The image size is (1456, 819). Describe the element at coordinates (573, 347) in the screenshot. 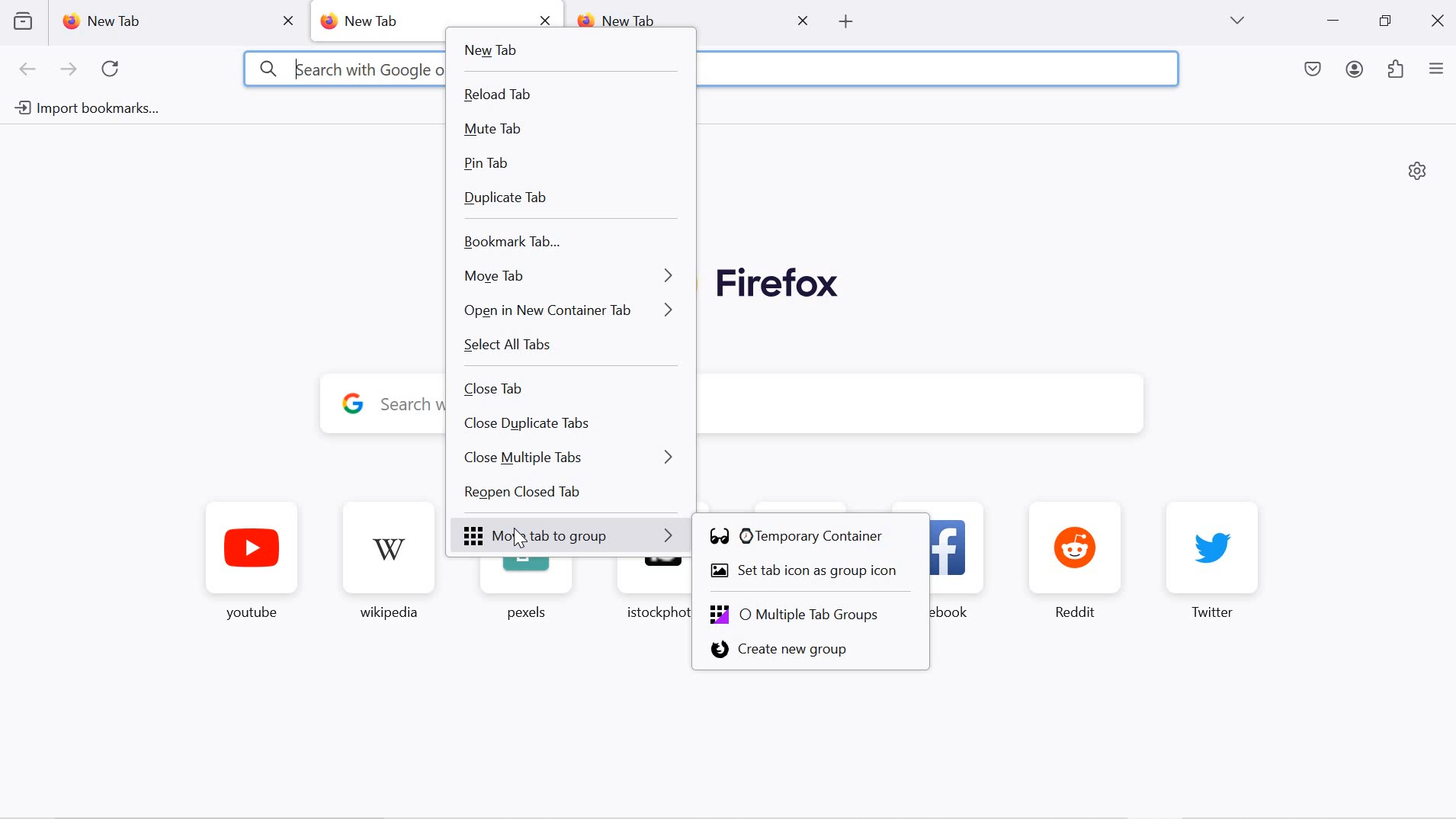

I see `select all tabs` at that location.